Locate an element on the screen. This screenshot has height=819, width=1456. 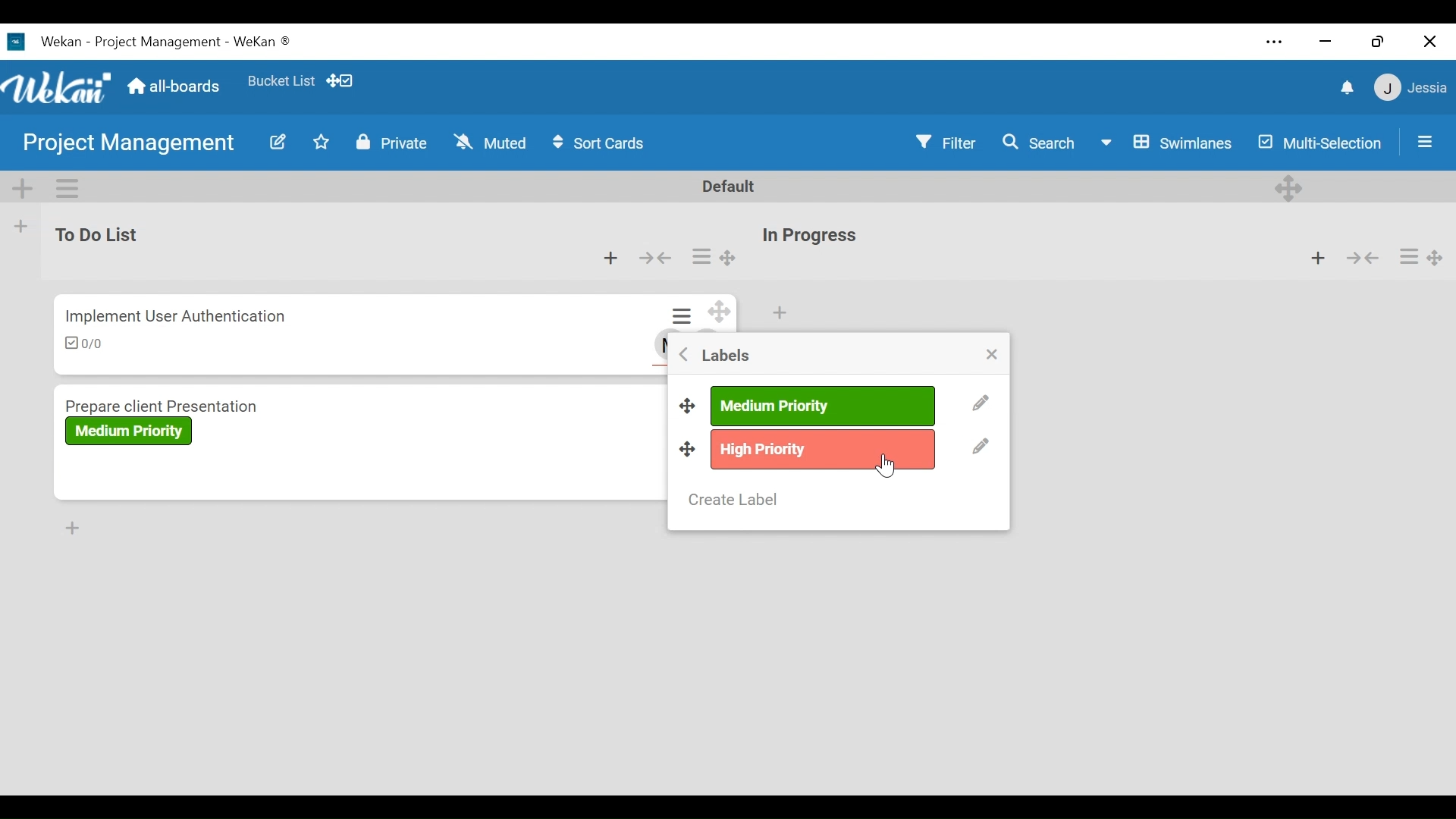
label is located at coordinates (821, 406).